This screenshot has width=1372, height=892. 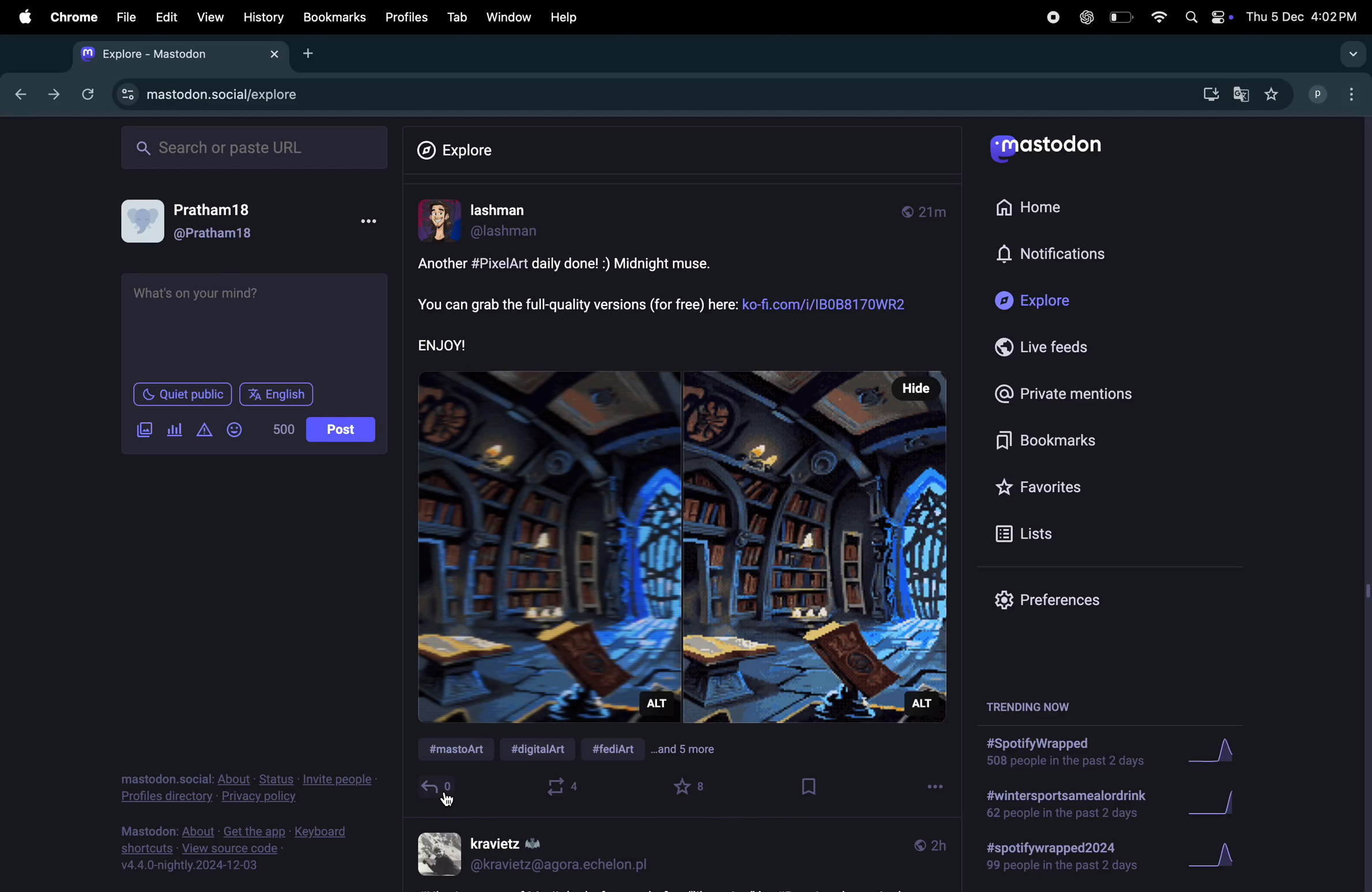 What do you see at coordinates (224, 95) in the screenshot?
I see `mastdon explore` at bounding box center [224, 95].